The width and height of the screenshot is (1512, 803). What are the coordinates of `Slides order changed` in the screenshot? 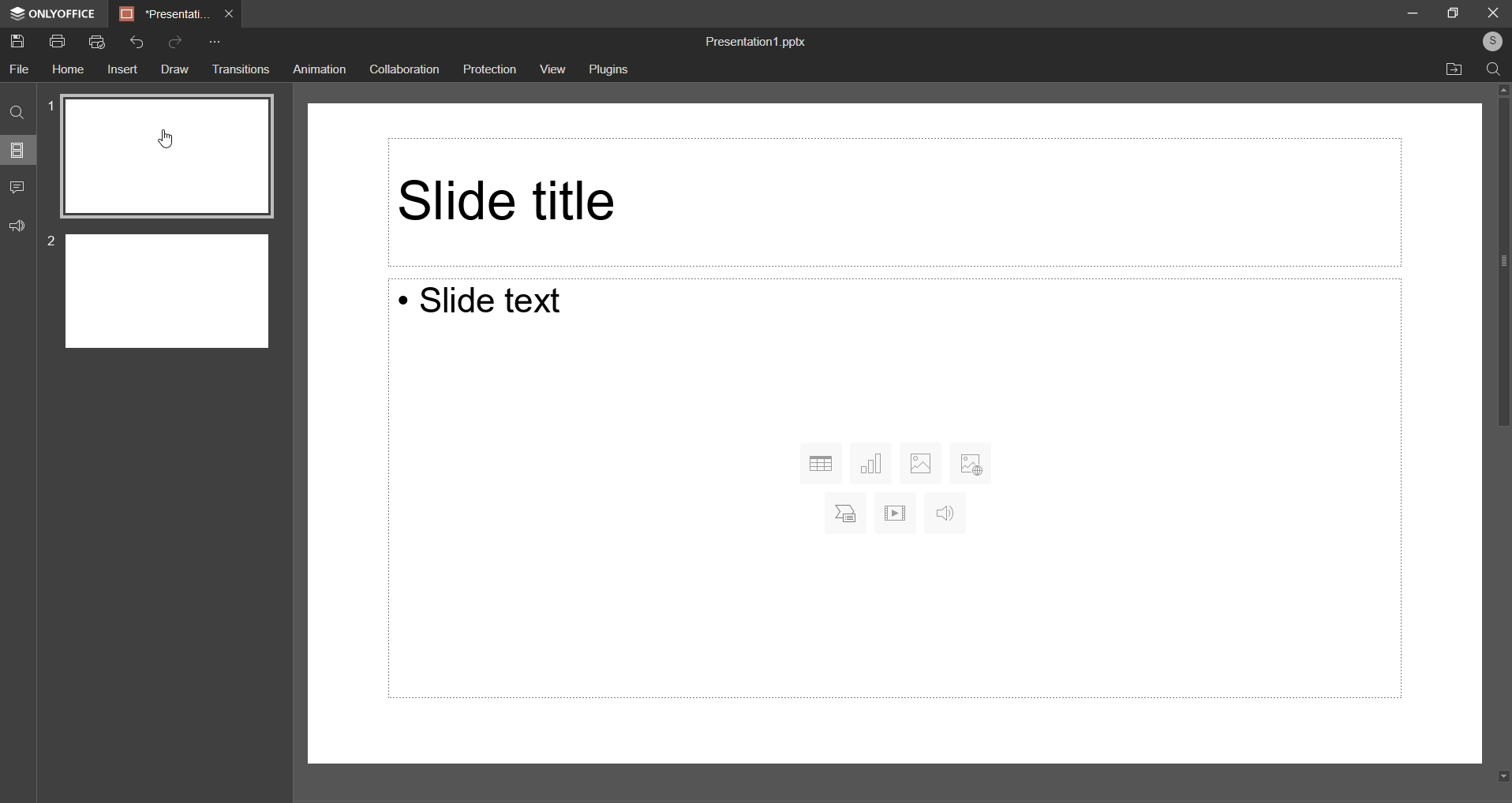 It's located at (174, 230).